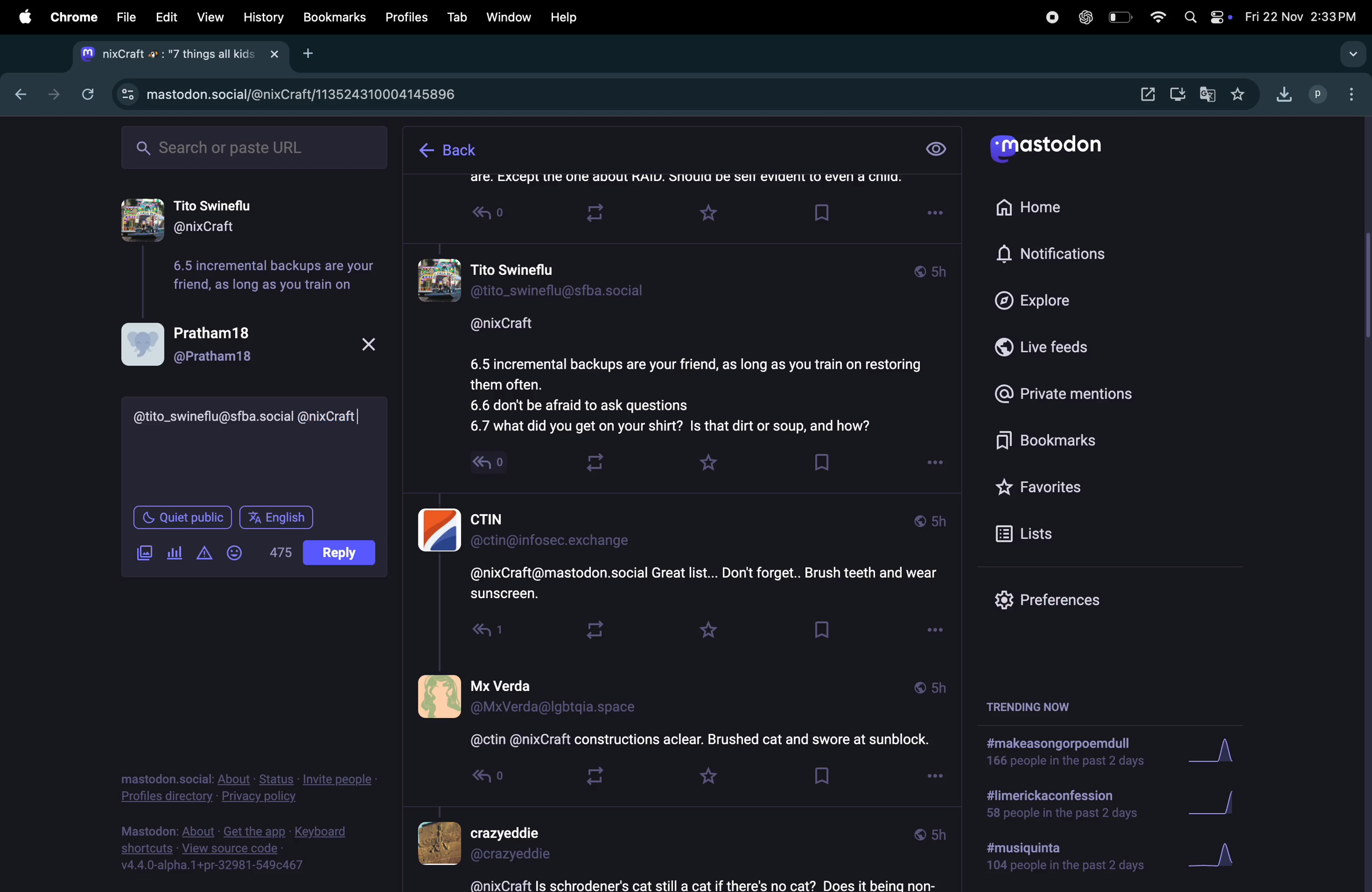 This screenshot has width=1372, height=892. Describe the element at coordinates (1077, 443) in the screenshot. I see `book marks` at that location.